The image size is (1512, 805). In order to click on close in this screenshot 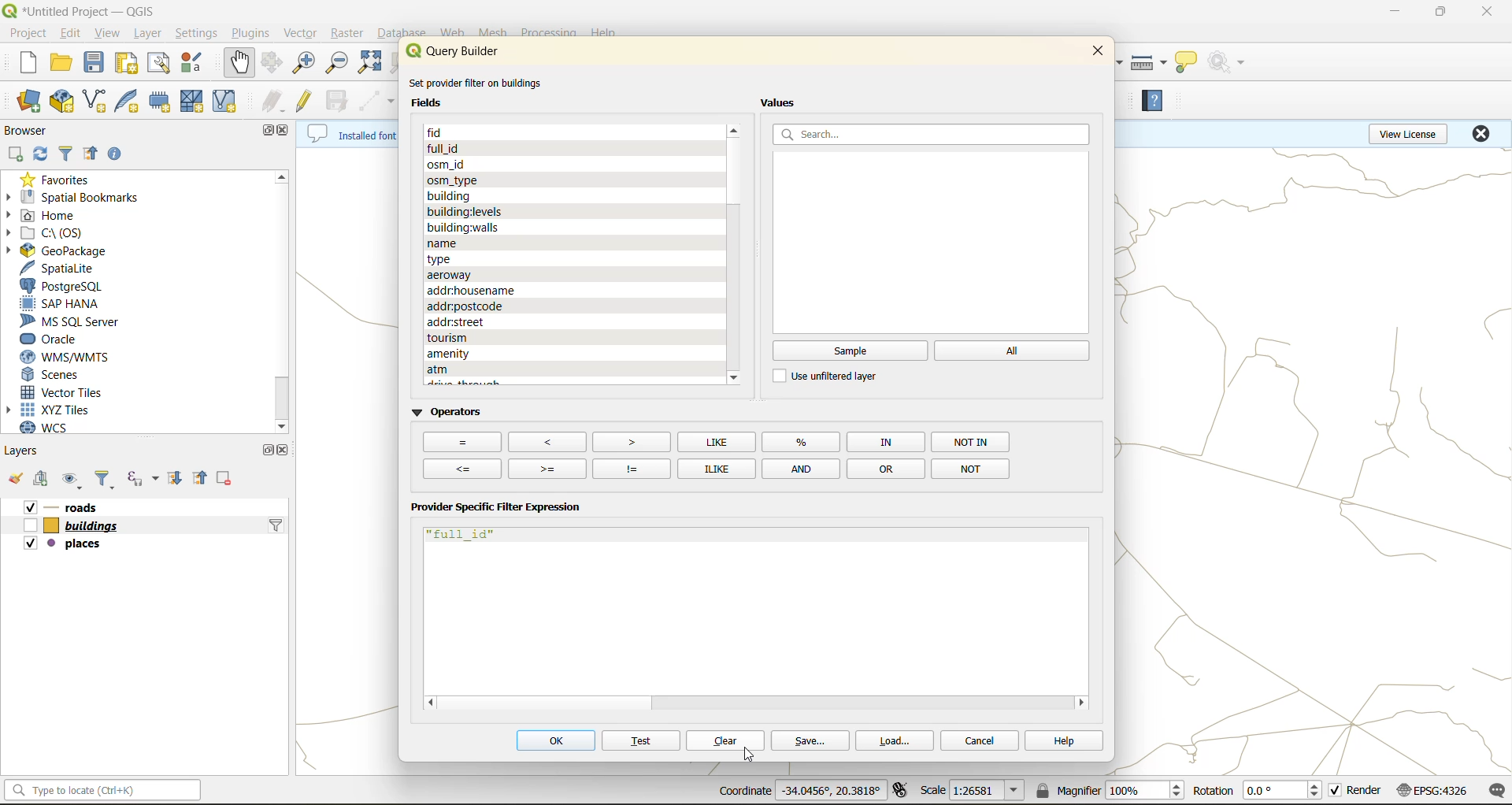, I will do `click(287, 129)`.